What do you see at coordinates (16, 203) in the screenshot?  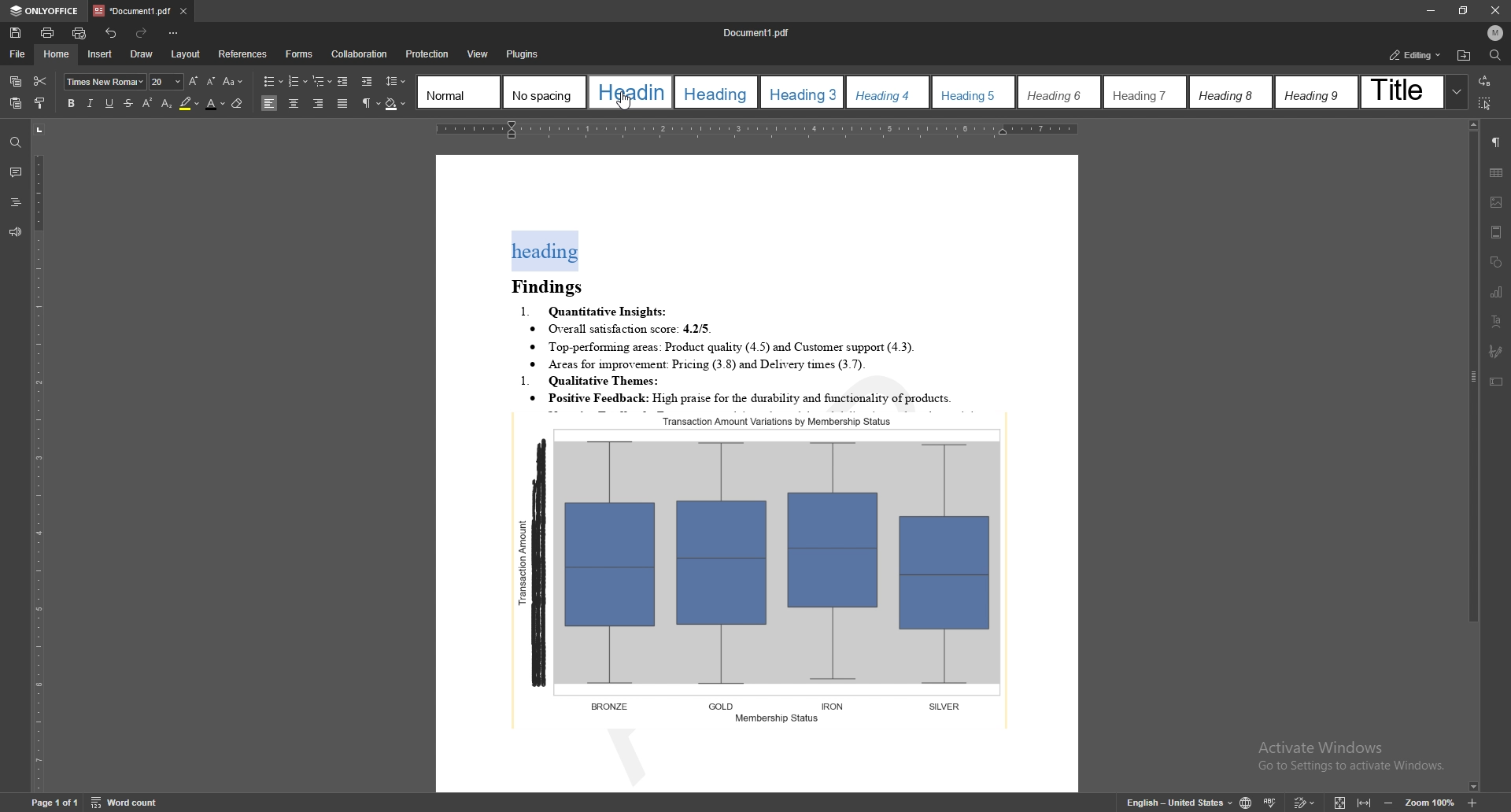 I see `heading` at bounding box center [16, 203].